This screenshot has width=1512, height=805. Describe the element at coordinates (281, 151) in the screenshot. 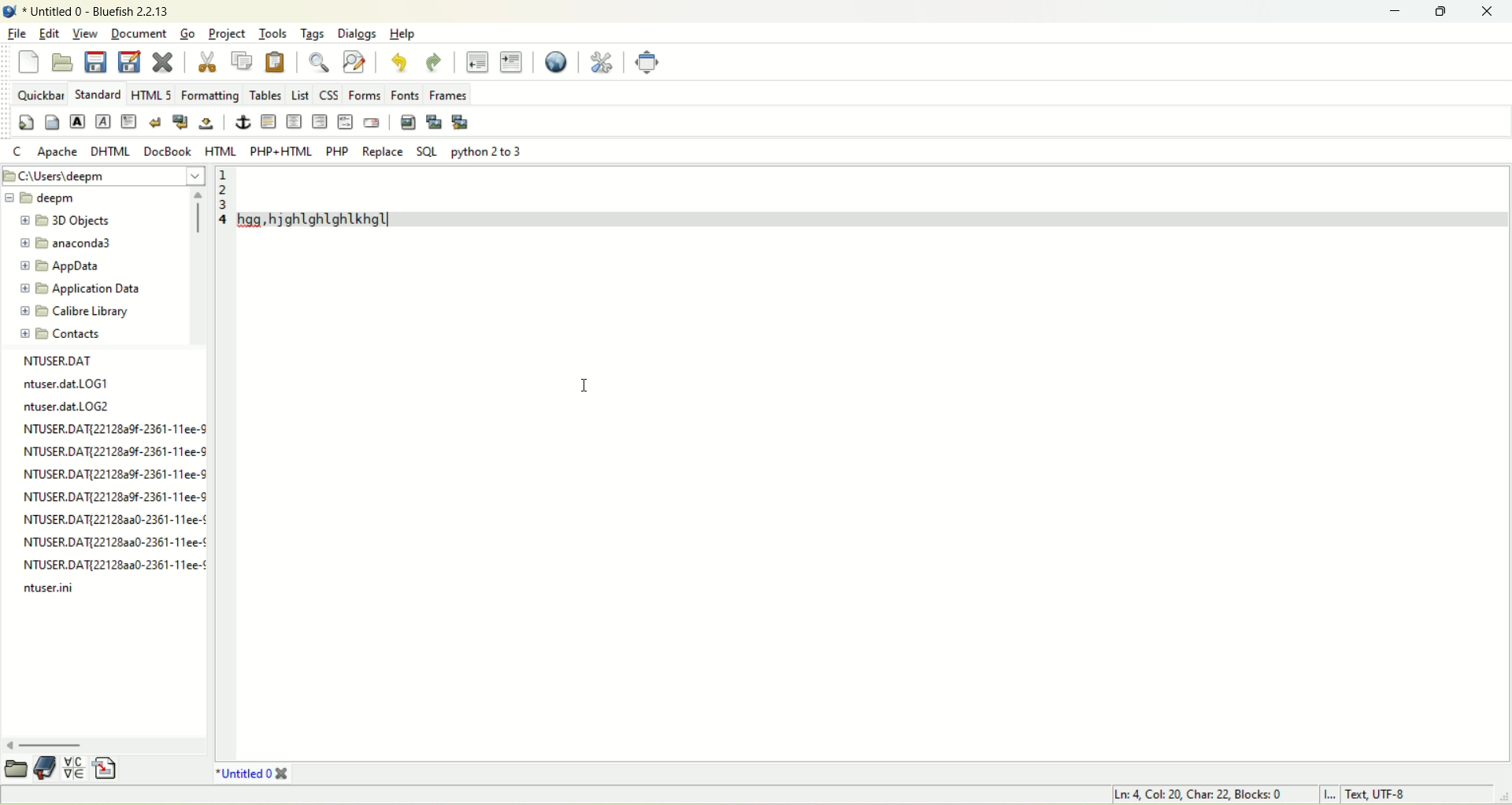

I see `PHP+HTML` at that location.